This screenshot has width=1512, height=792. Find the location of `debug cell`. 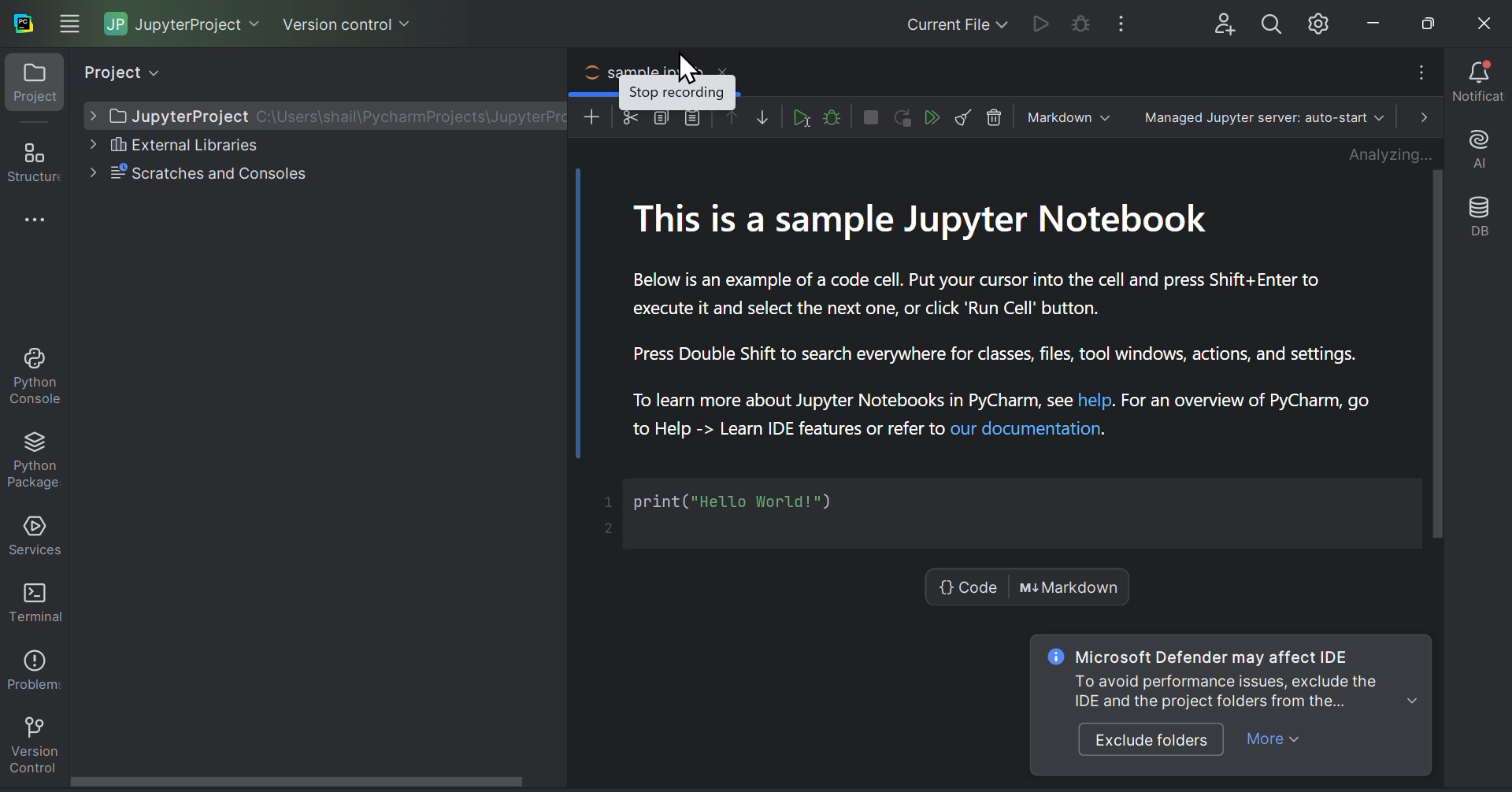

debug cell is located at coordinates (833, 117).